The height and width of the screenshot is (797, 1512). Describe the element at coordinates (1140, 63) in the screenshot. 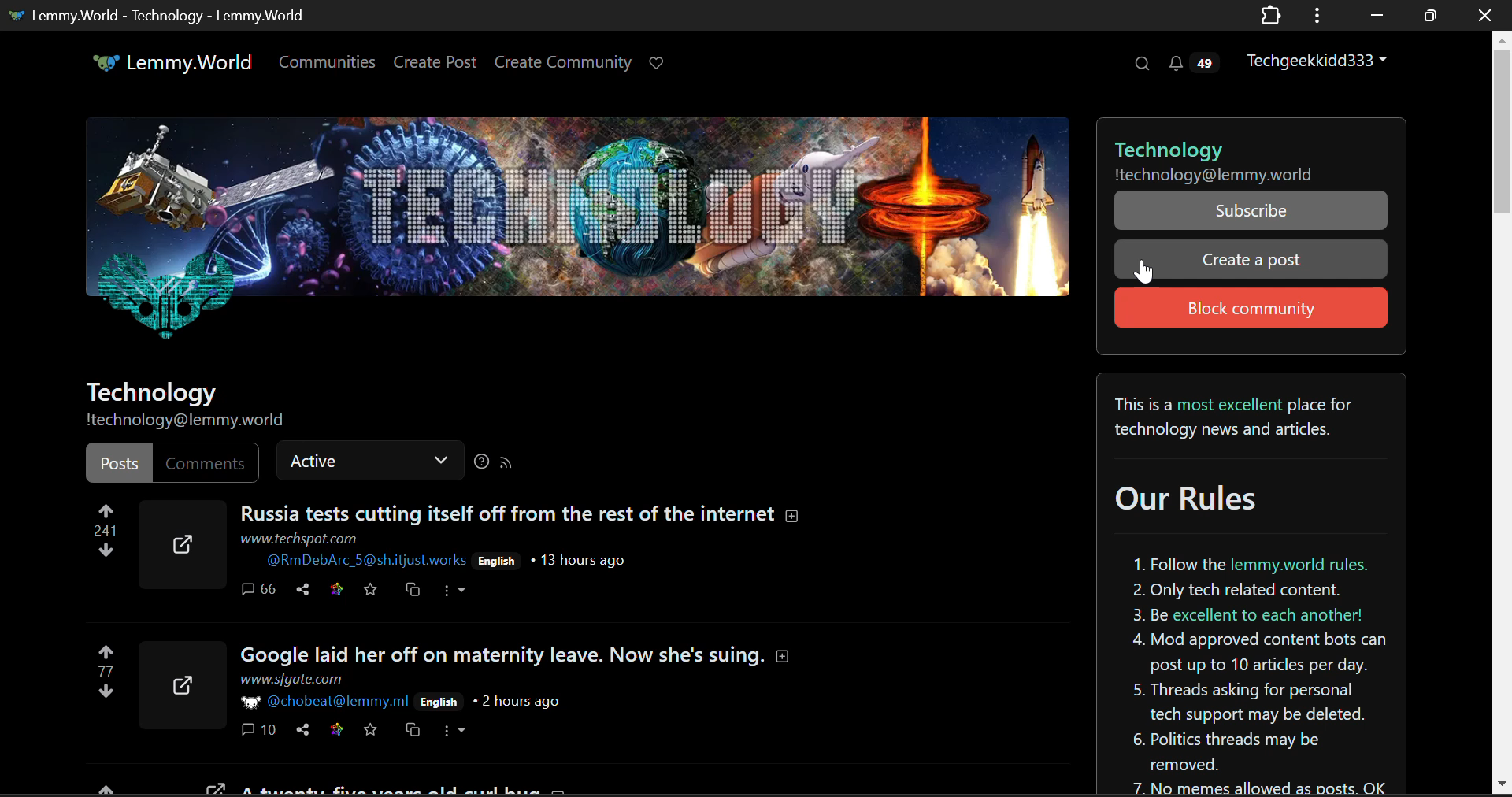

I see `Search` at that location.